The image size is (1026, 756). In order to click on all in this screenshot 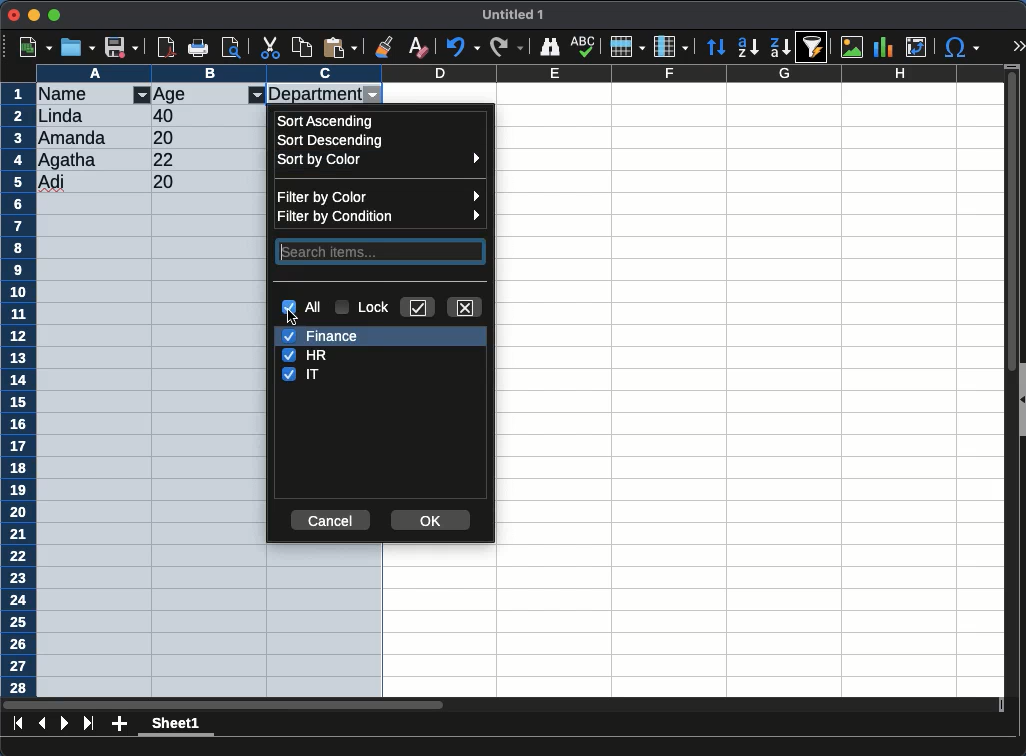, I will do `click(301, 308)`.